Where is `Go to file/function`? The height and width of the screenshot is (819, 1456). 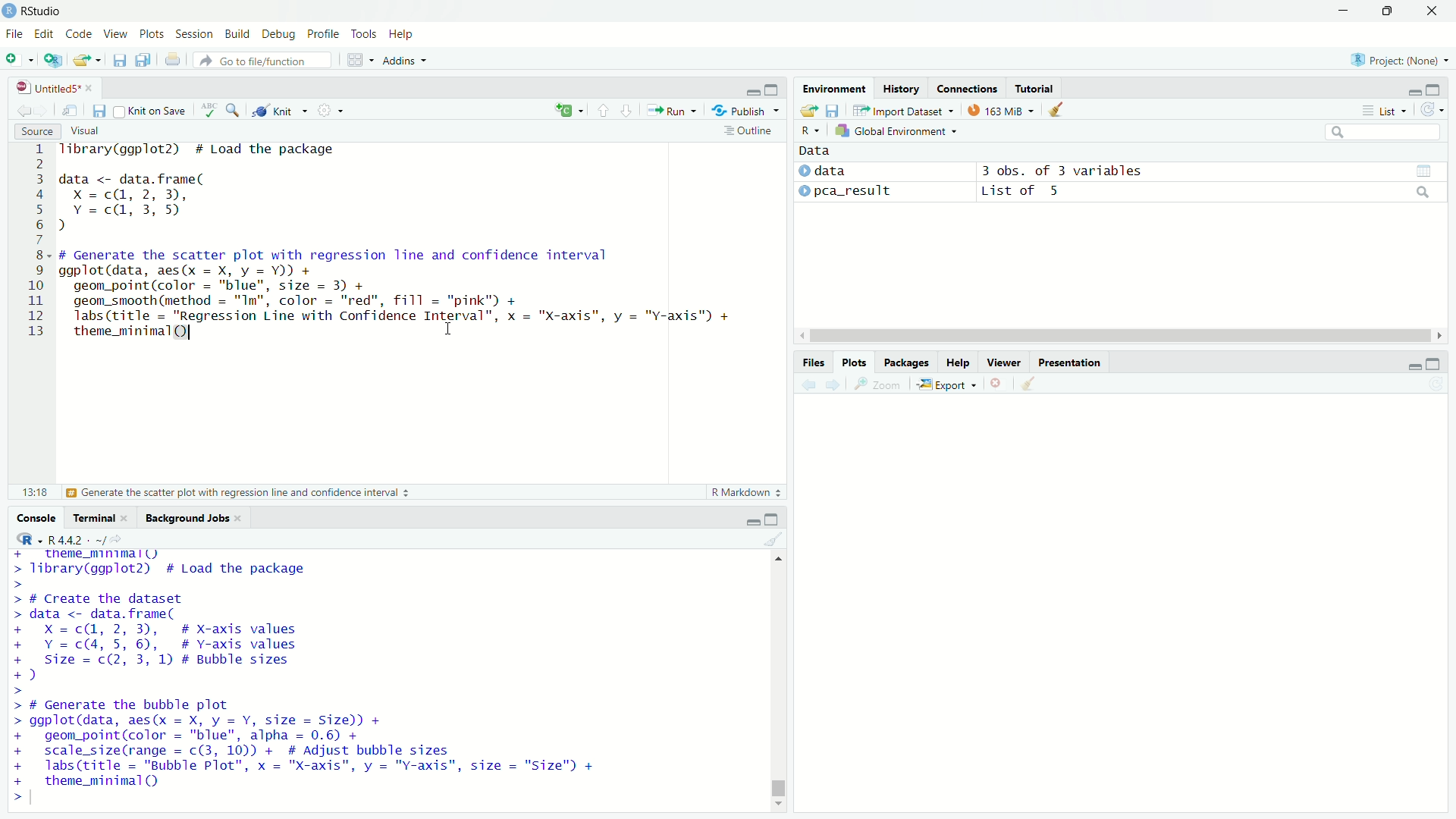
Go to file/function is located at coordinates (262, 61).